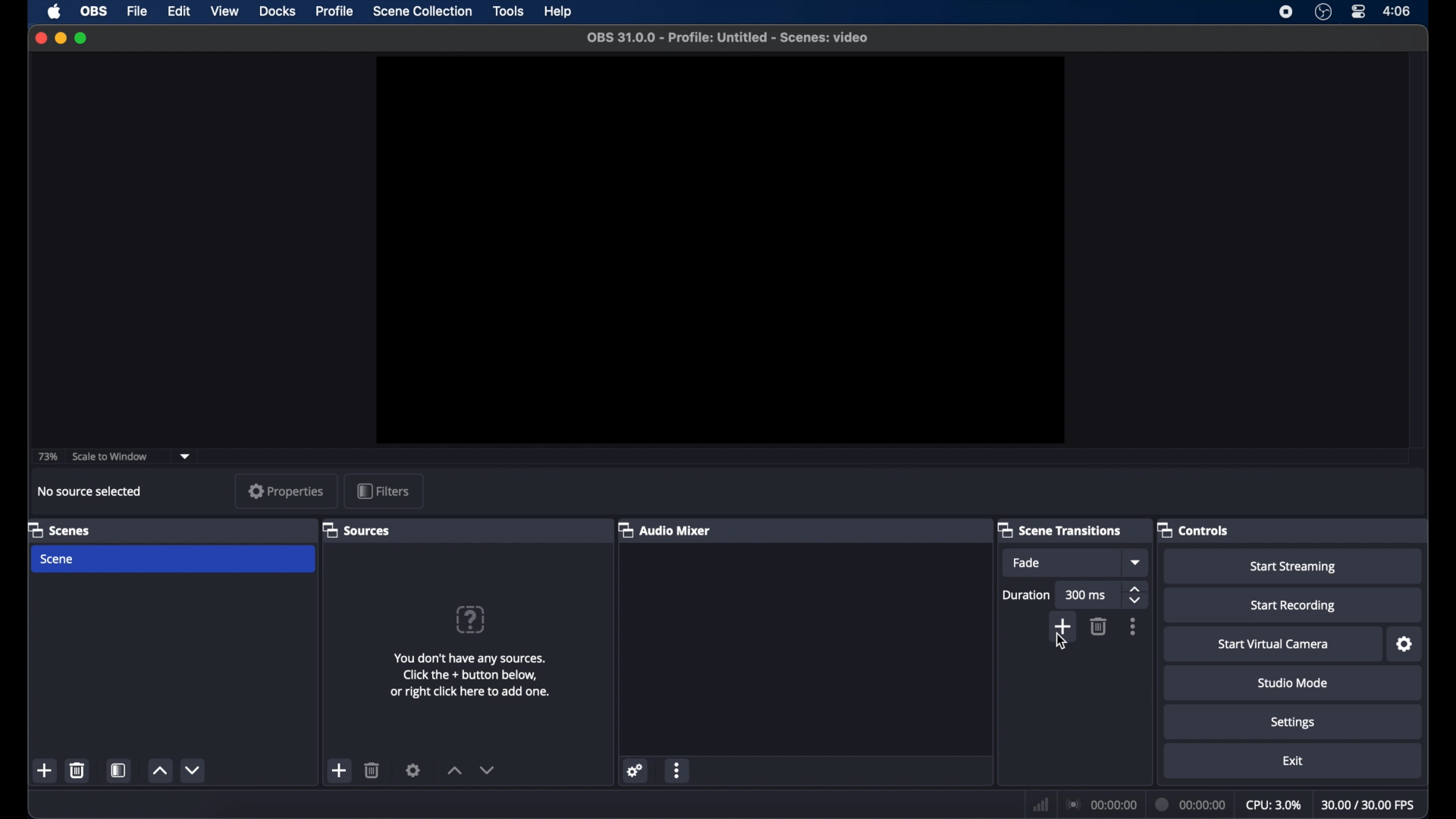  What do you see at coordinates (1062, 529) in the screenshot?
I see `scene transitions` at bounding box center [1062, 529].